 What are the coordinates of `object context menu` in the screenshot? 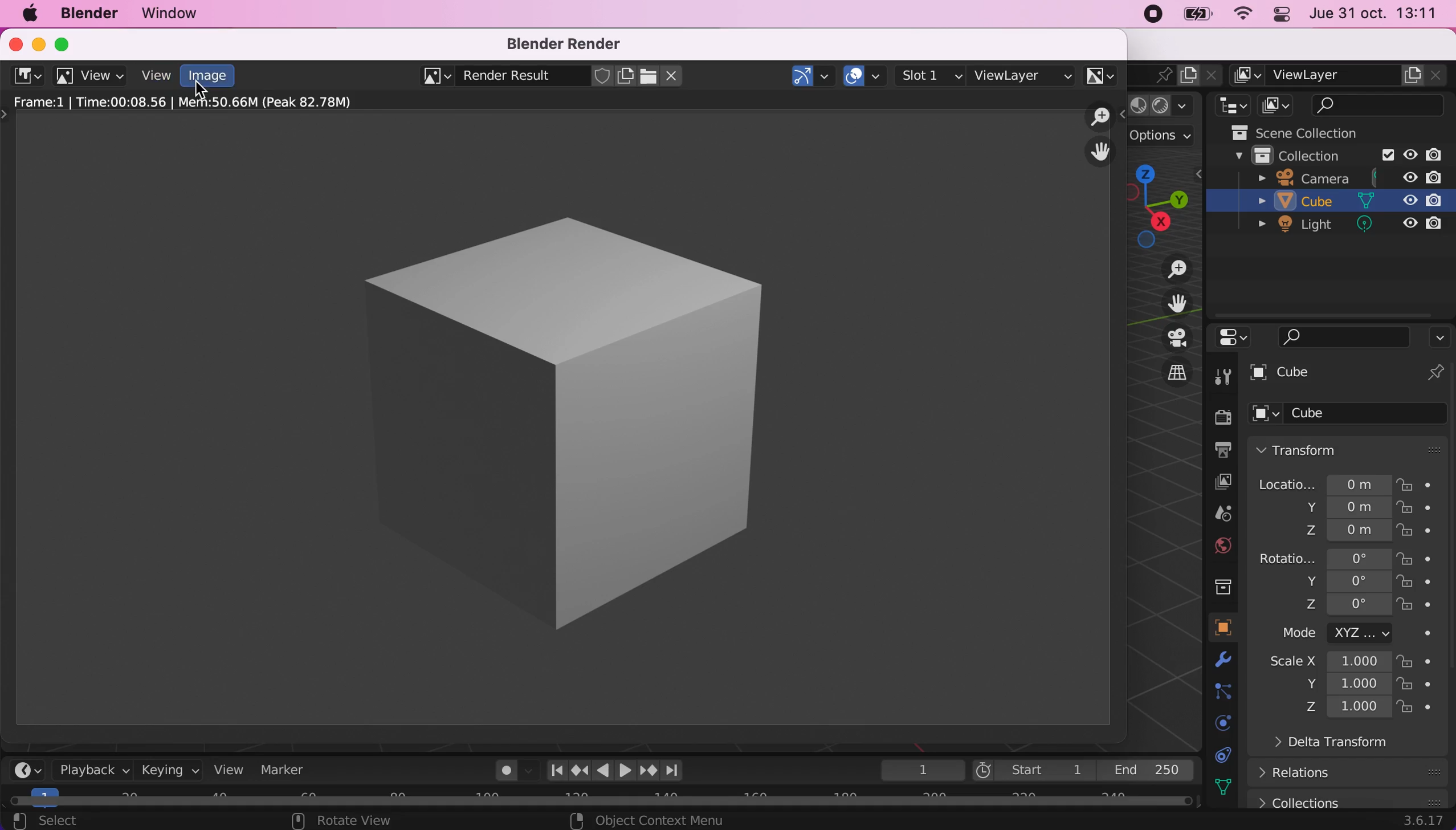 It's located at (650, 820).